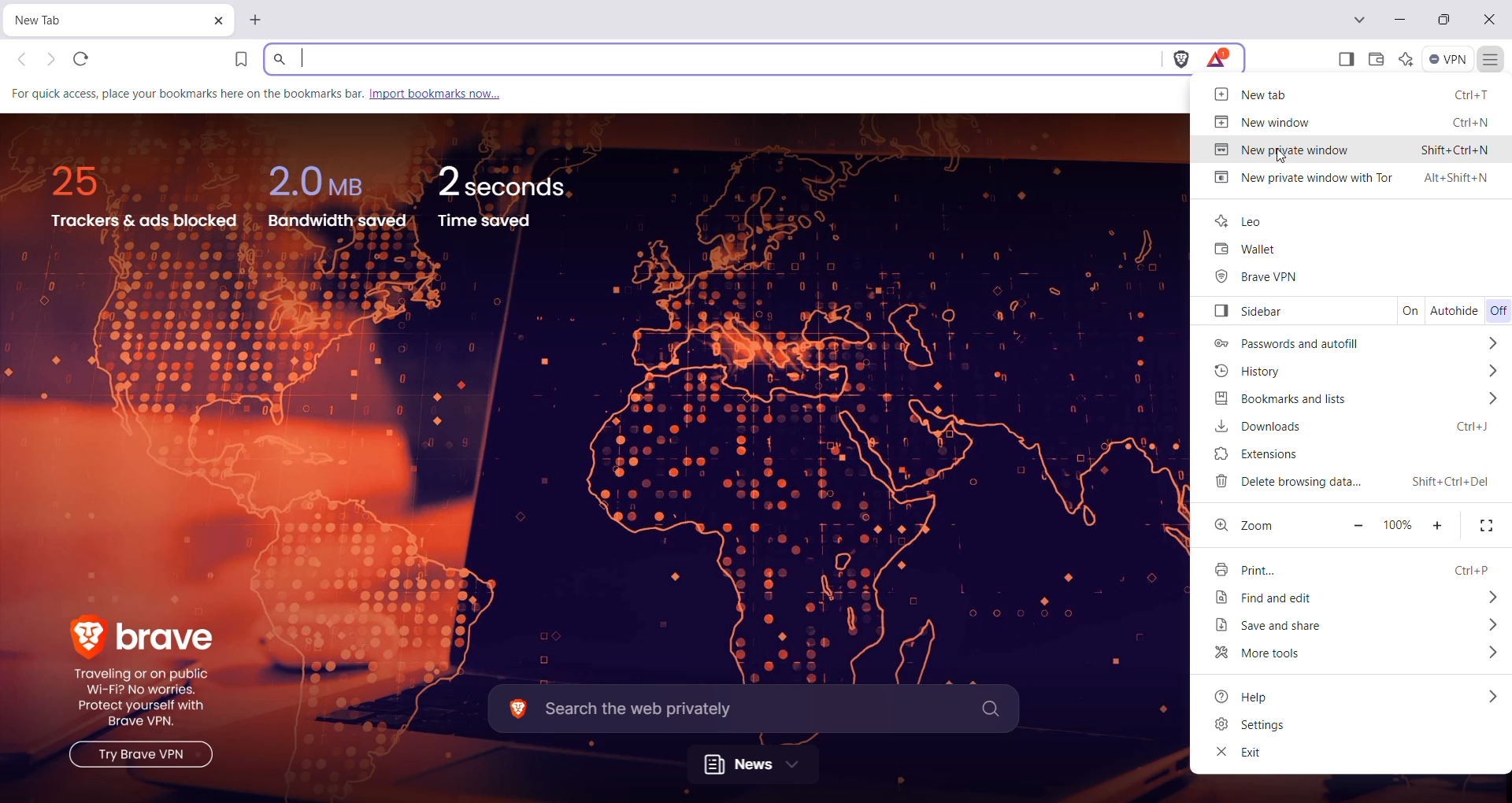  I want to click on More options, so click(1490, 654).